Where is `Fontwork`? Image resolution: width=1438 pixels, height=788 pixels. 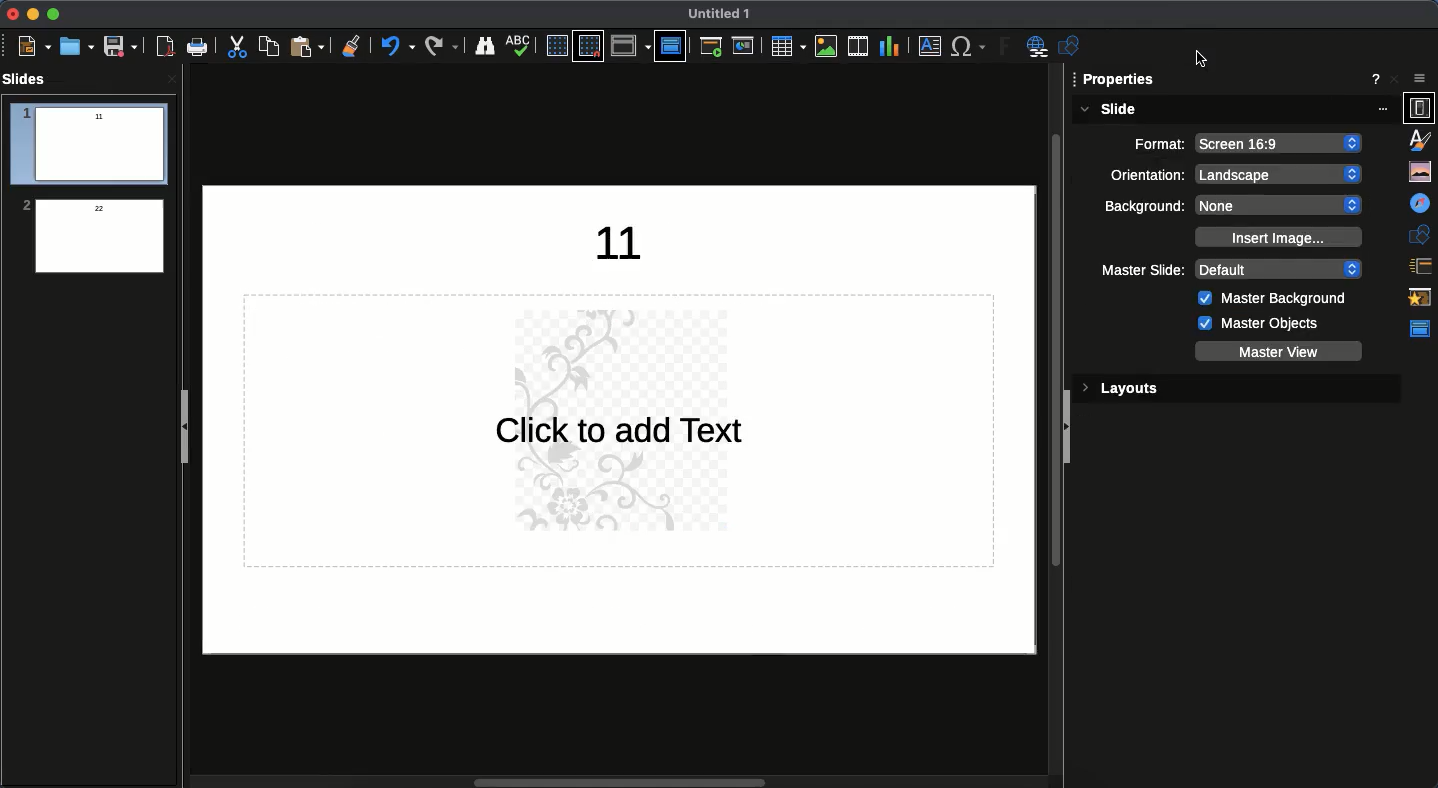
Fontwork is located at coordinates (1006, 49).